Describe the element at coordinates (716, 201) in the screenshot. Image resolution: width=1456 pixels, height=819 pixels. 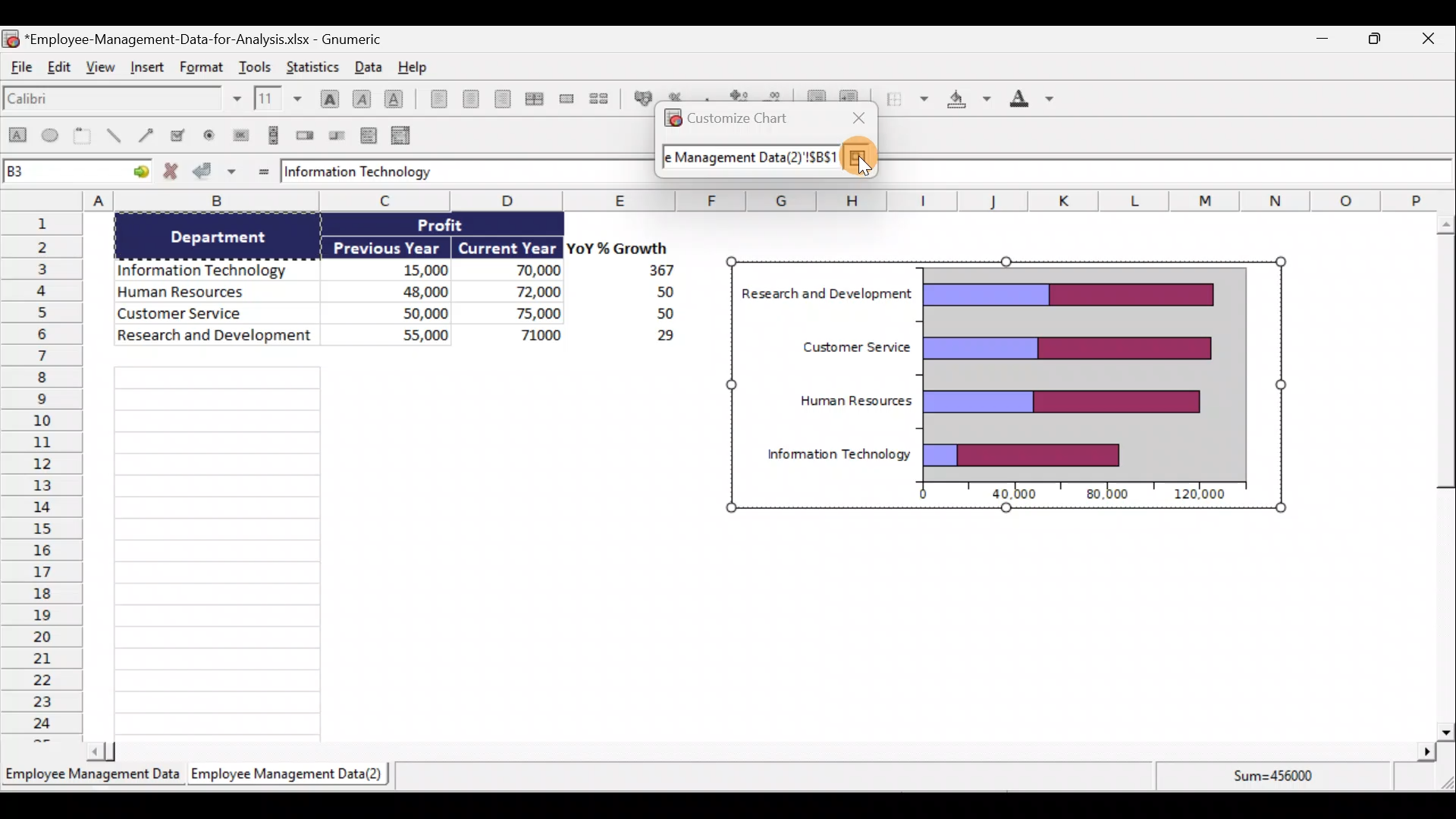
I see `Columns` at that location.